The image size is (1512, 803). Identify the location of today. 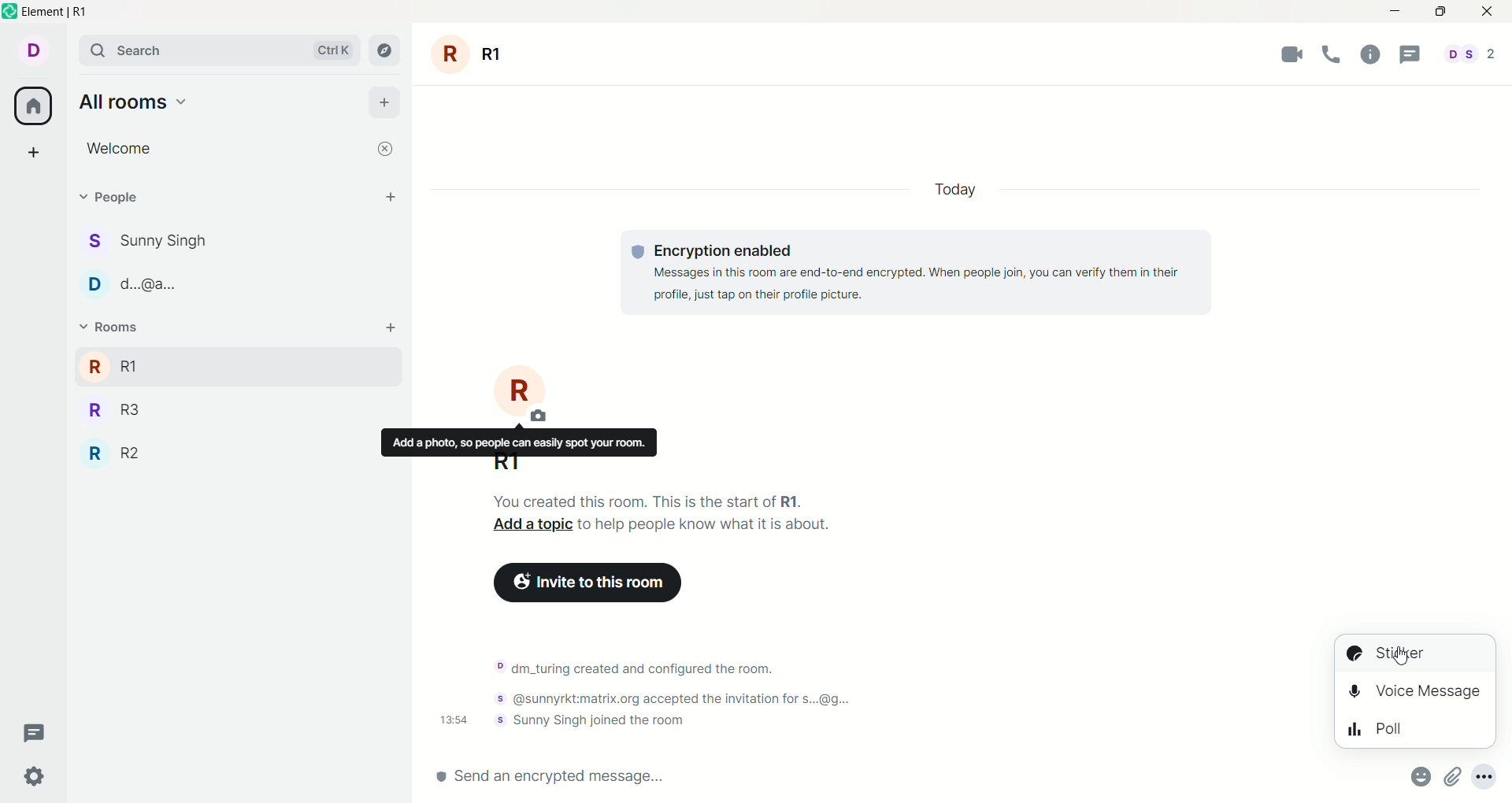
(955, 189).